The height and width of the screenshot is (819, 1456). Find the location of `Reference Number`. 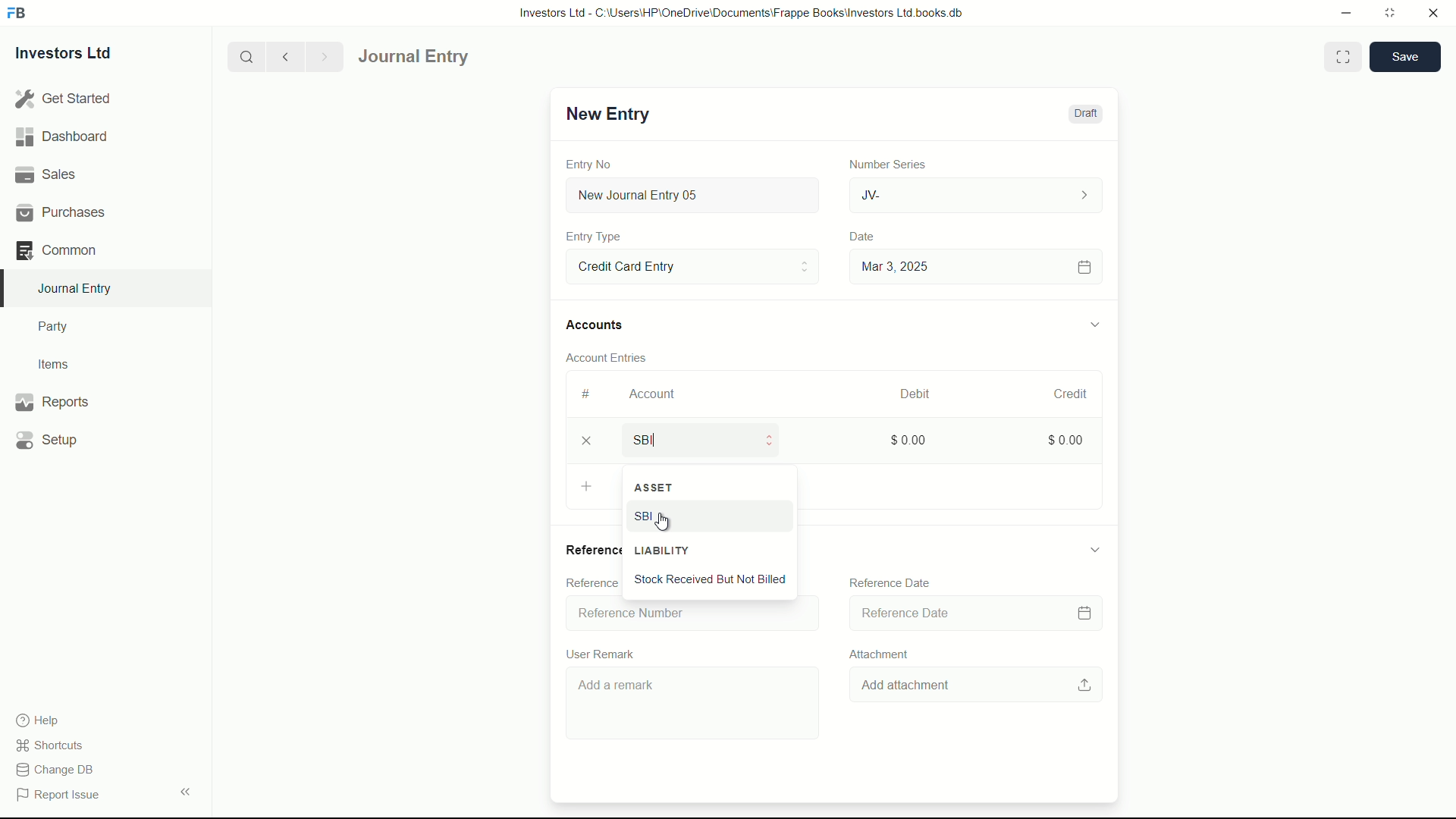

Reference Number is located at coordinates (689, 613).